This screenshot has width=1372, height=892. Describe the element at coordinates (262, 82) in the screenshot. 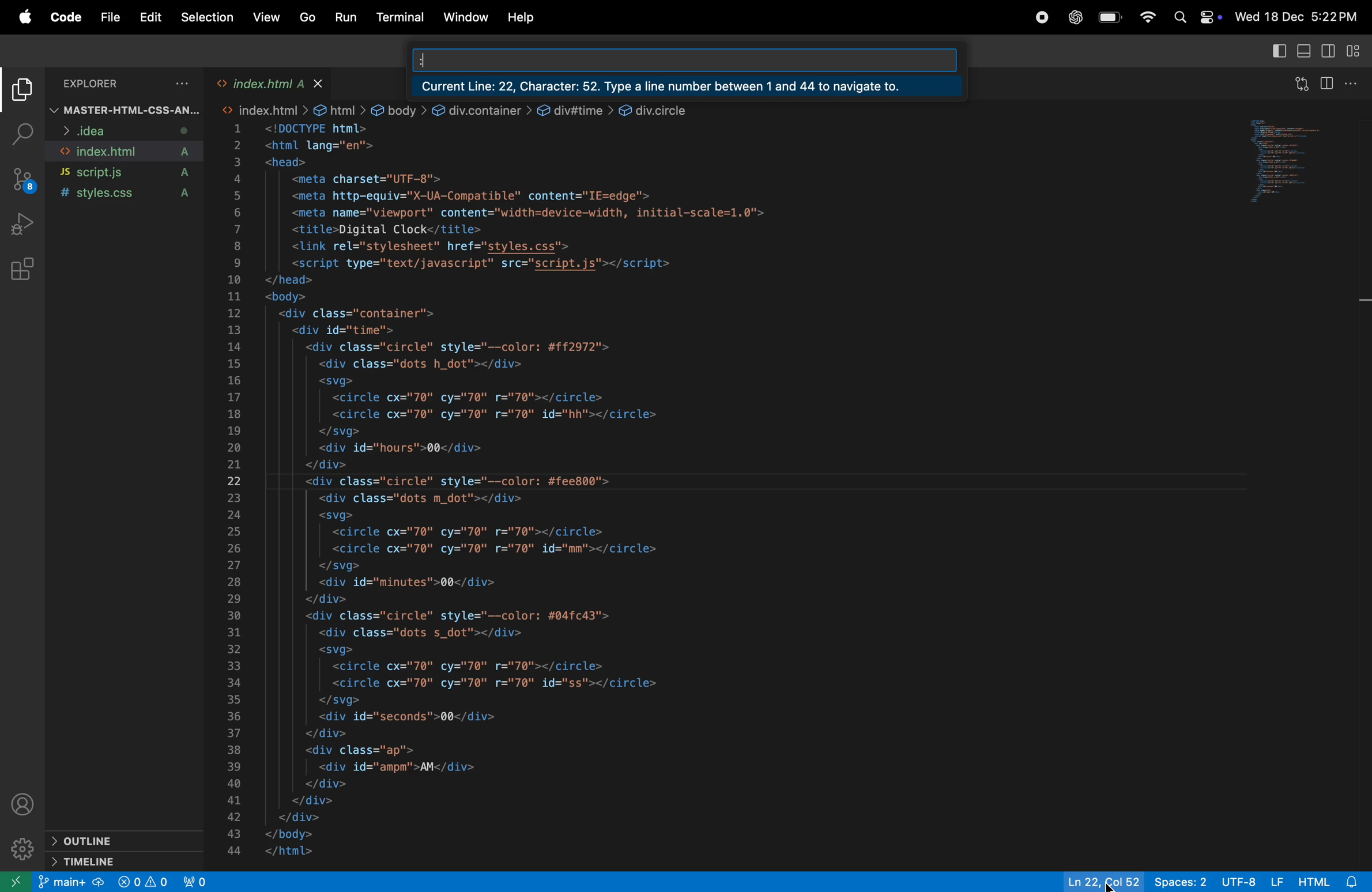

I see `index.html tab` at that location.